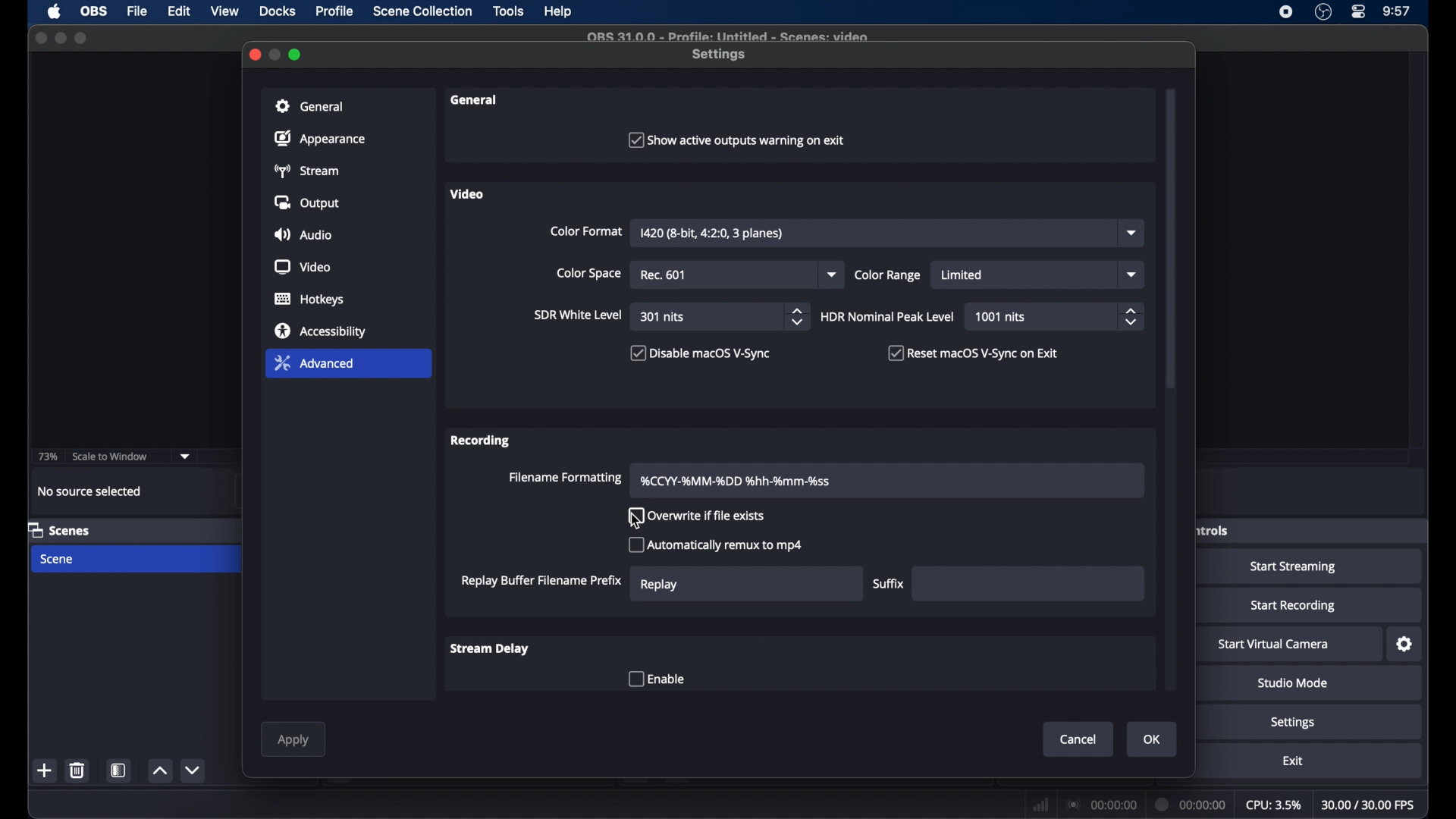 This screenshot has height=819, width=1456. What do you see at coordinates (303, 267) in the screenshot?
I see `video` at bounding box center [303, 267].